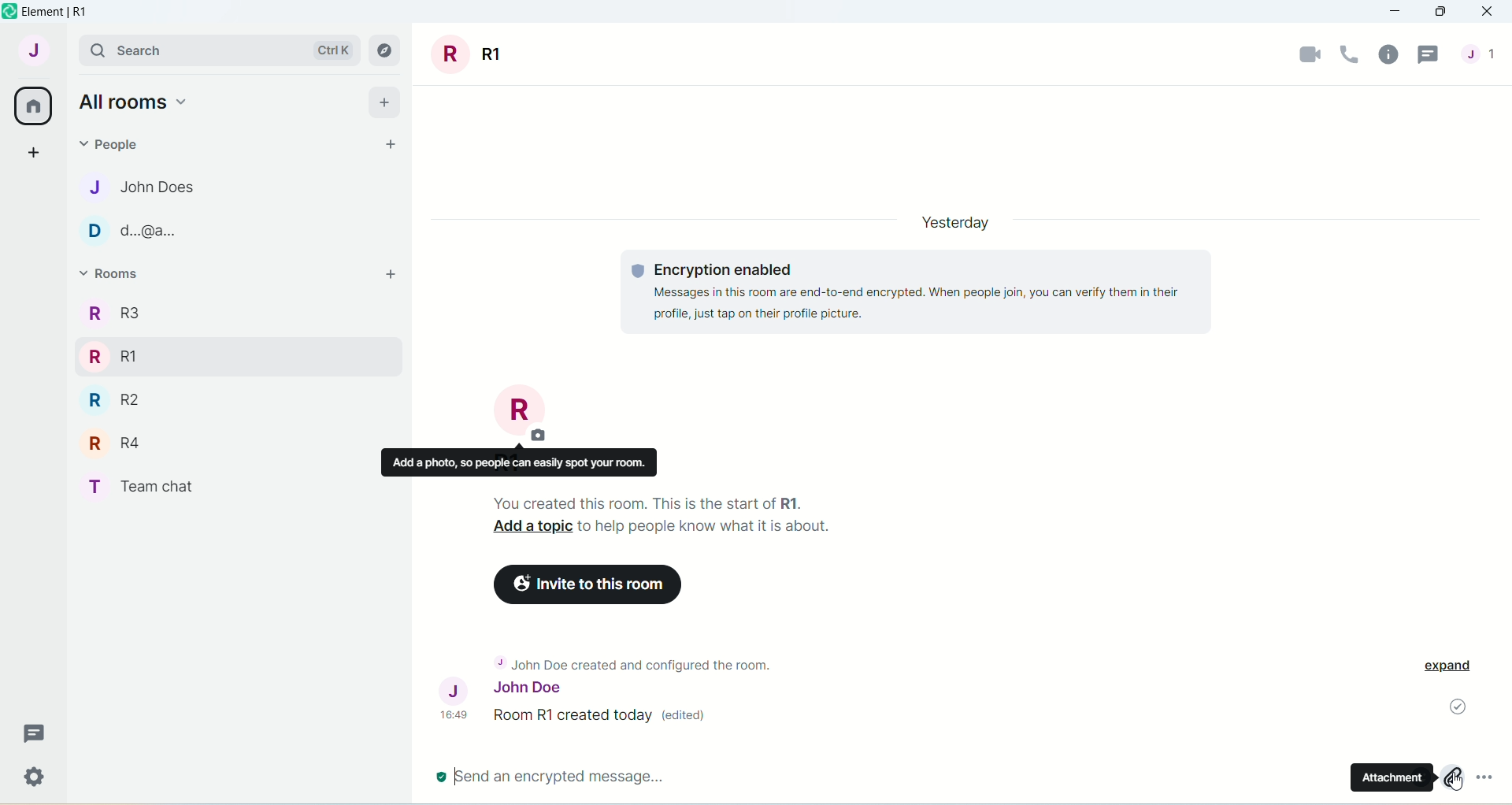 Image resolution: width=1512 pixels, height=805 pixels. I want to click on Message, so click(37, 733).